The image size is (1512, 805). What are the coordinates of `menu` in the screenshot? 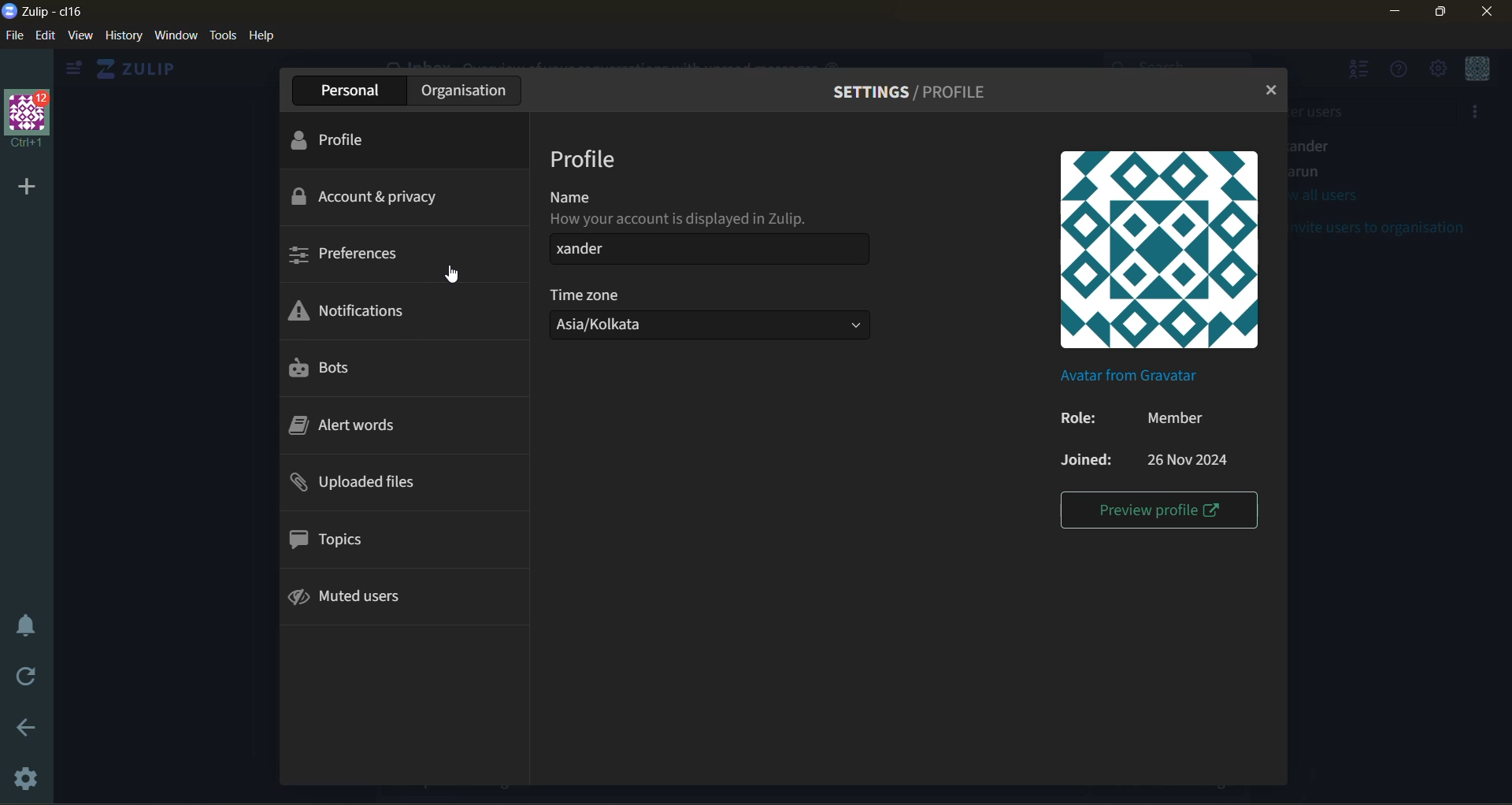 It's located at (1477, 72).